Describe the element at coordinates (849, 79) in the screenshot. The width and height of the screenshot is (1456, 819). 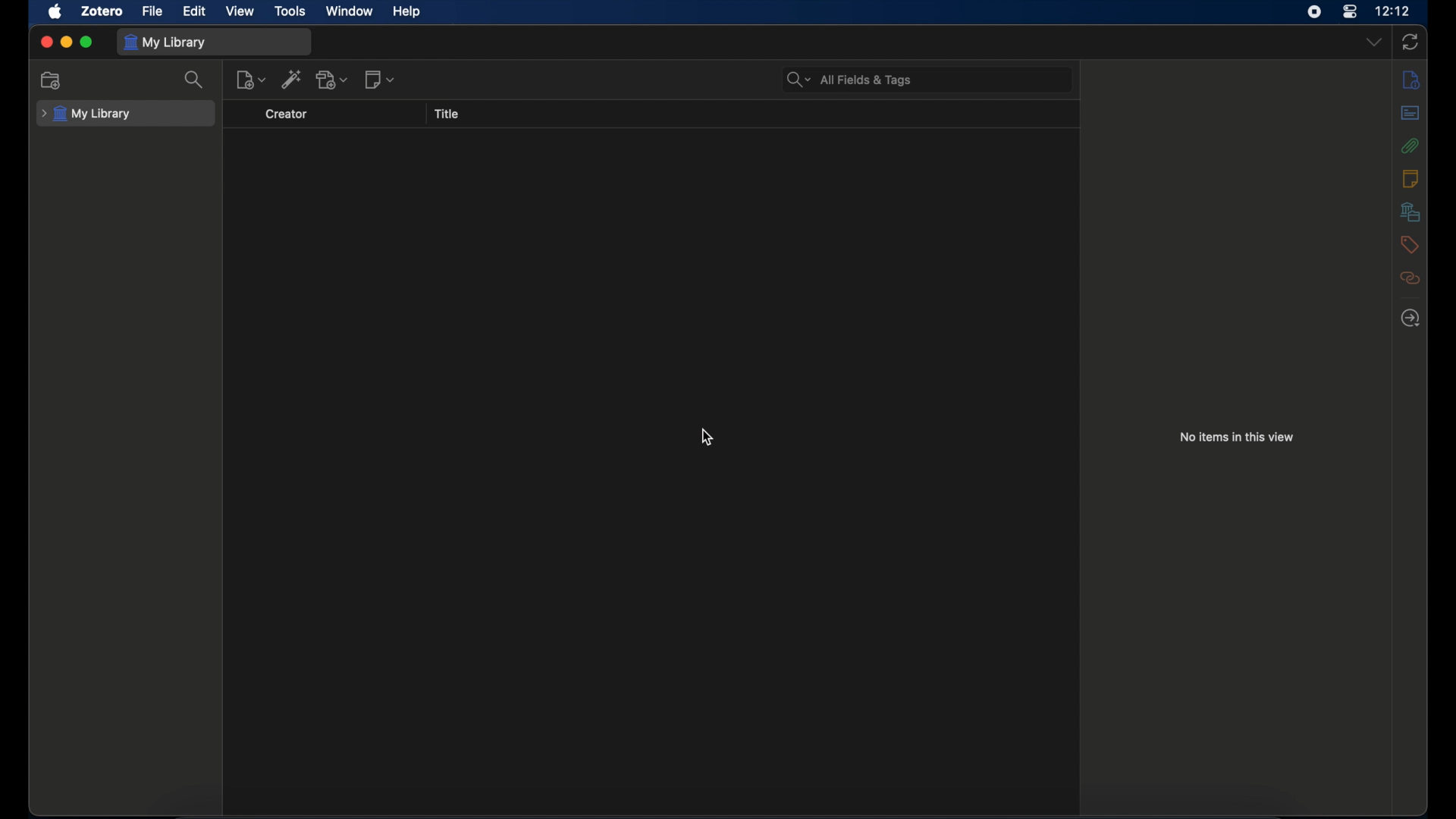
I see `search bar` at that location.